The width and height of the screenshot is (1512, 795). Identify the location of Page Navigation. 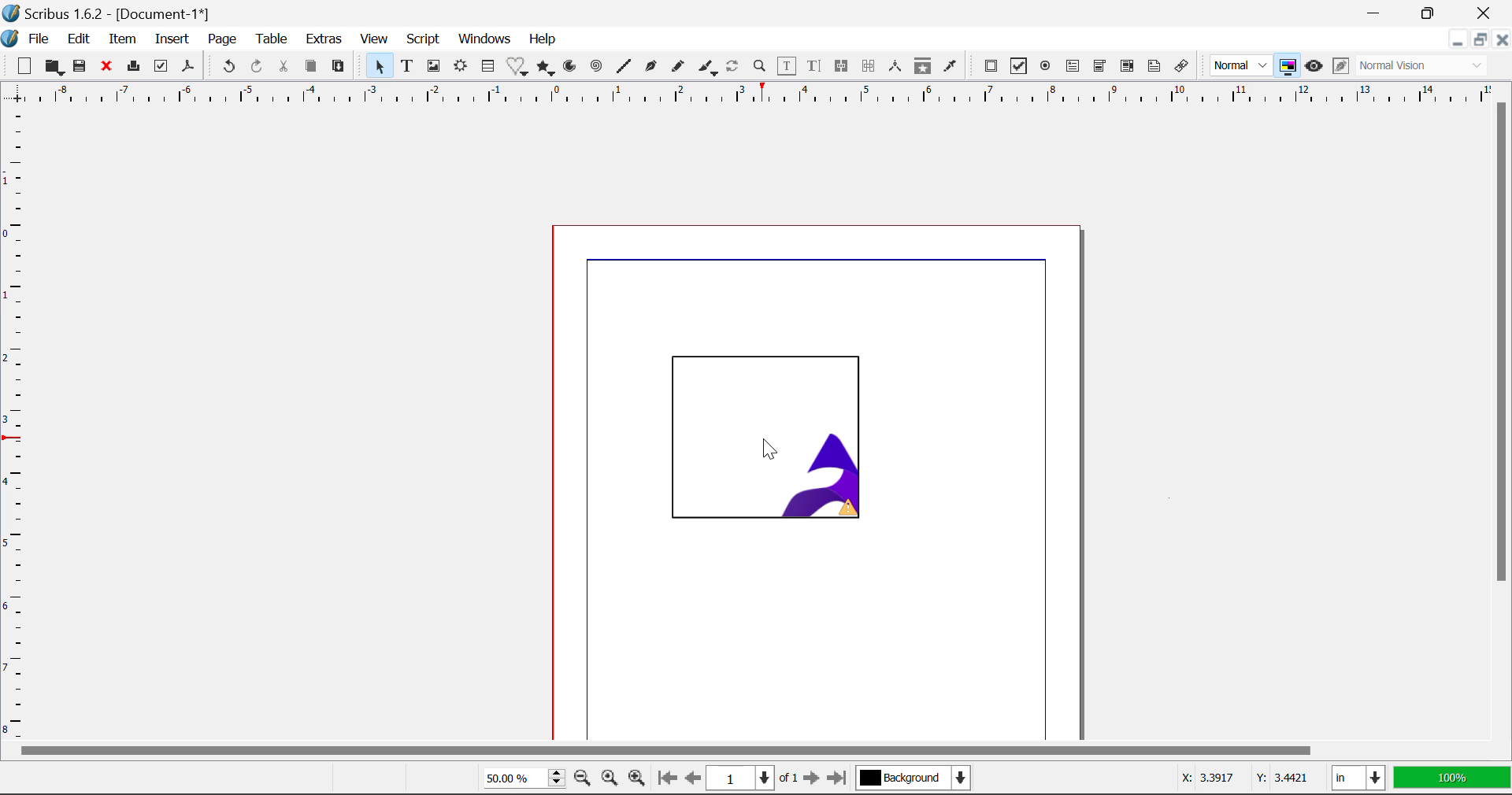
(747, 778).